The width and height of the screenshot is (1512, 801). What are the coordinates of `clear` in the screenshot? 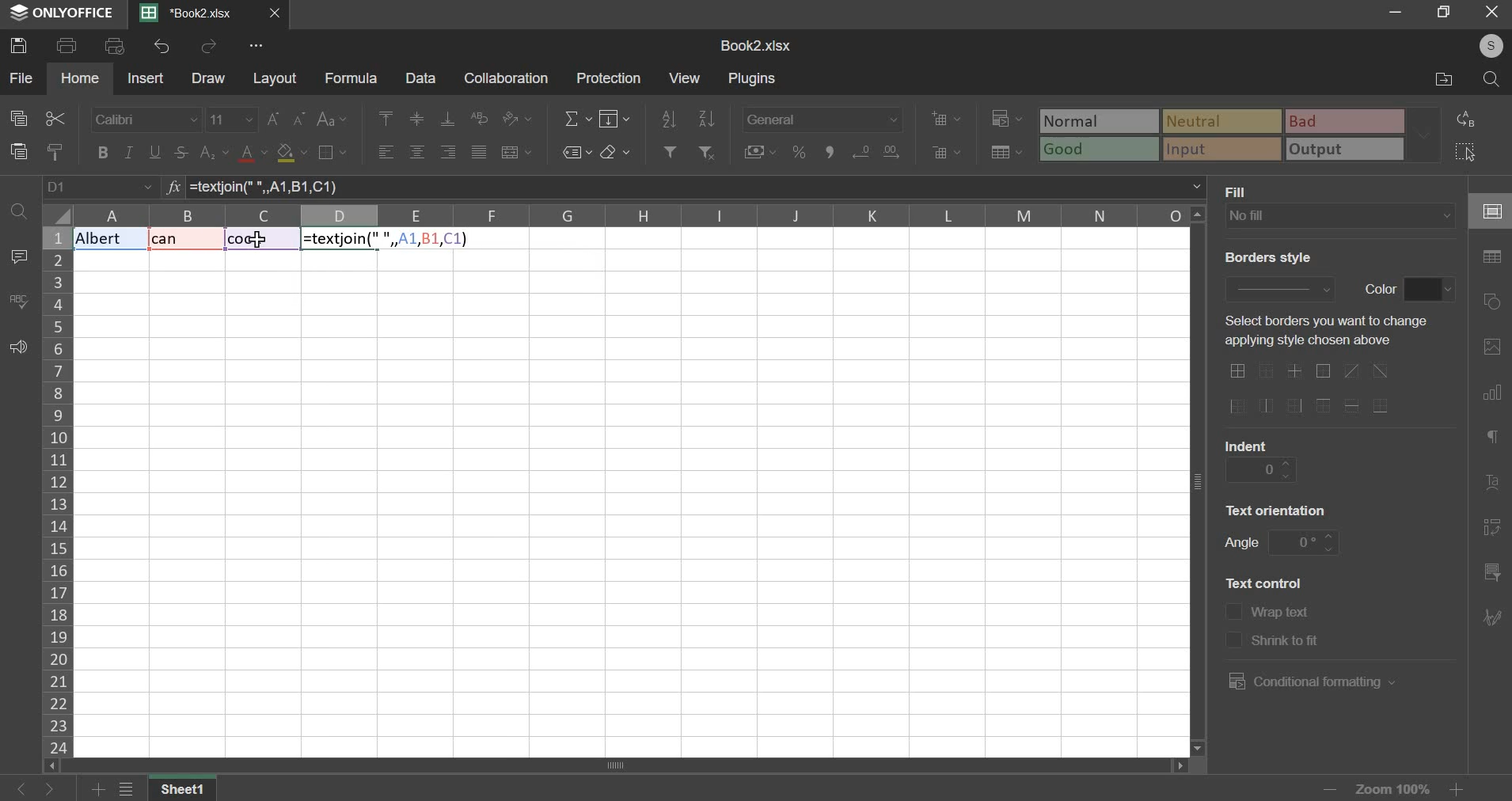 It's located at (615, 152).